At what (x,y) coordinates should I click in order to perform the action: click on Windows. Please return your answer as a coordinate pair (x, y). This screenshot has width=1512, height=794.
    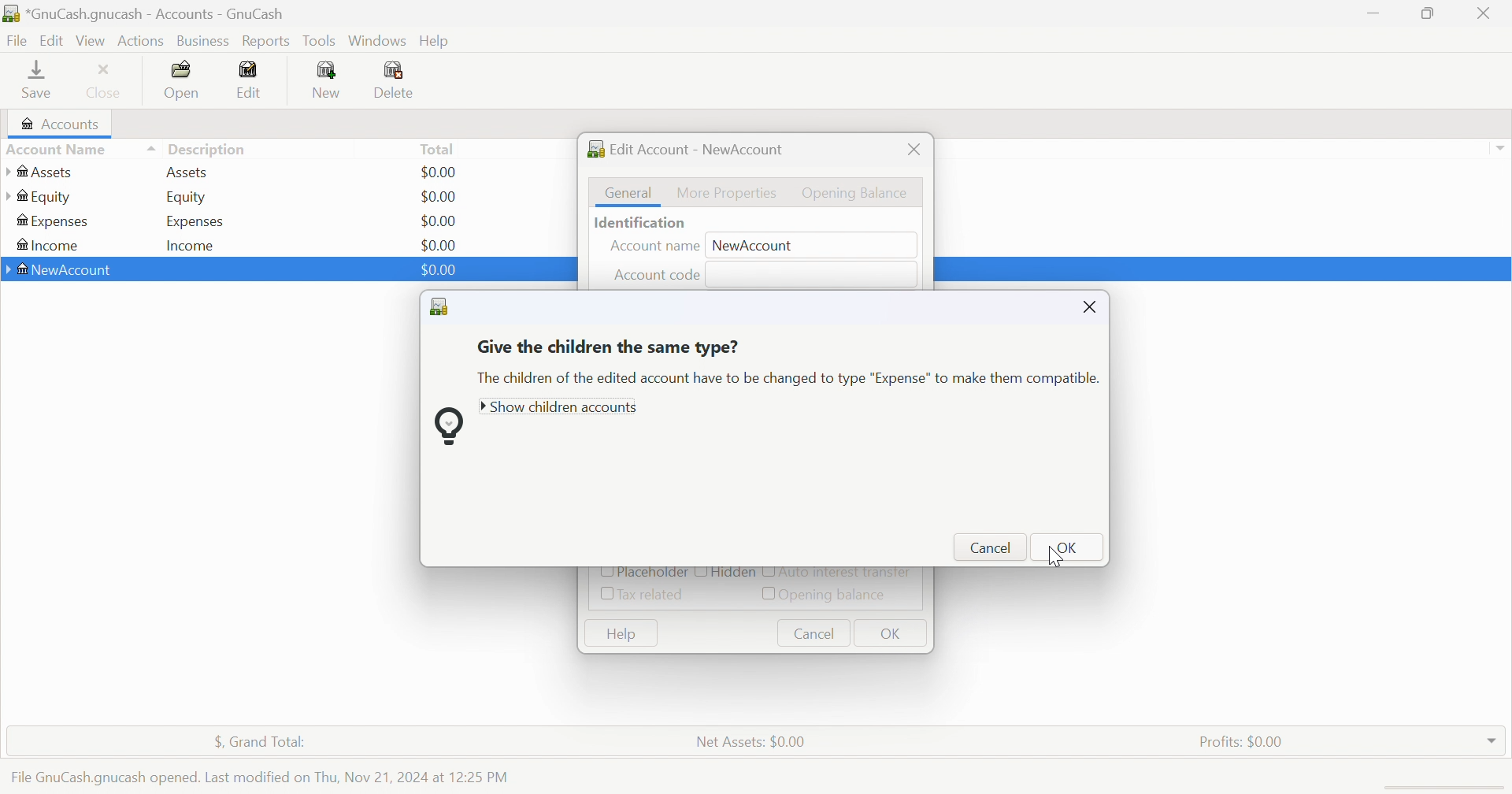
    Looking at the image, I should click on (377, 41).